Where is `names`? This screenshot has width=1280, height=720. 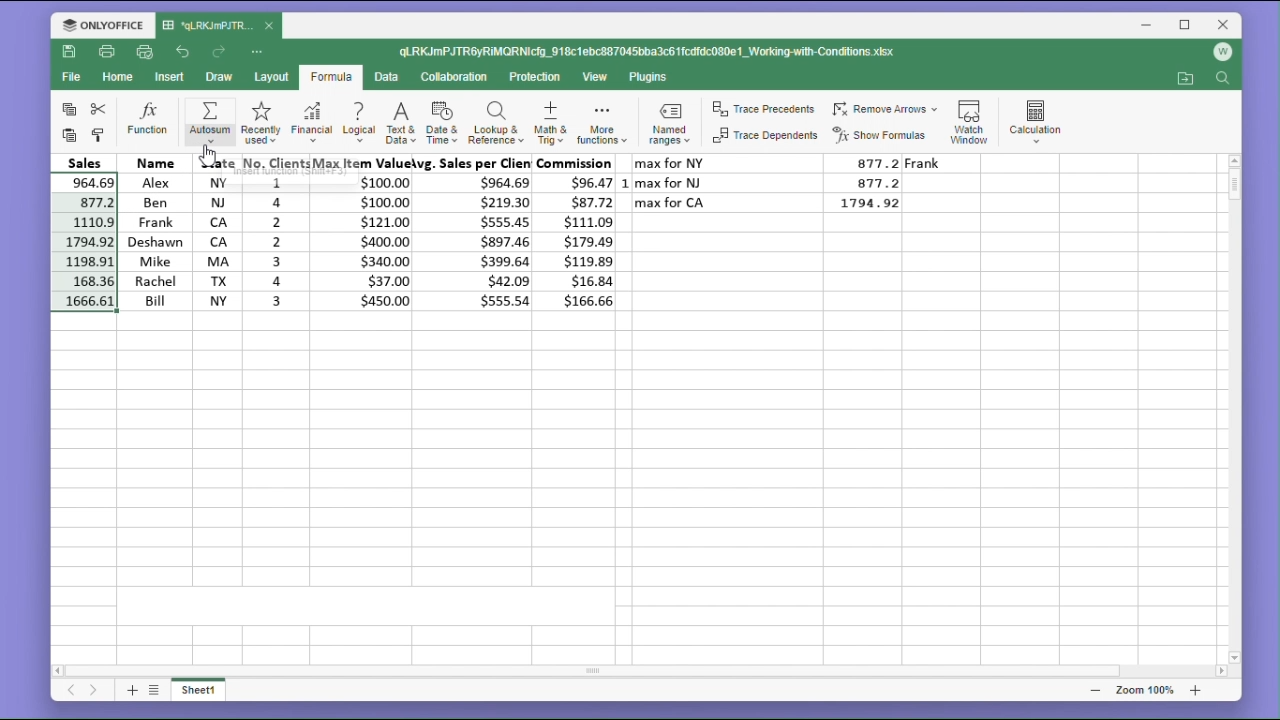 names is located at coordinates (152, 231).